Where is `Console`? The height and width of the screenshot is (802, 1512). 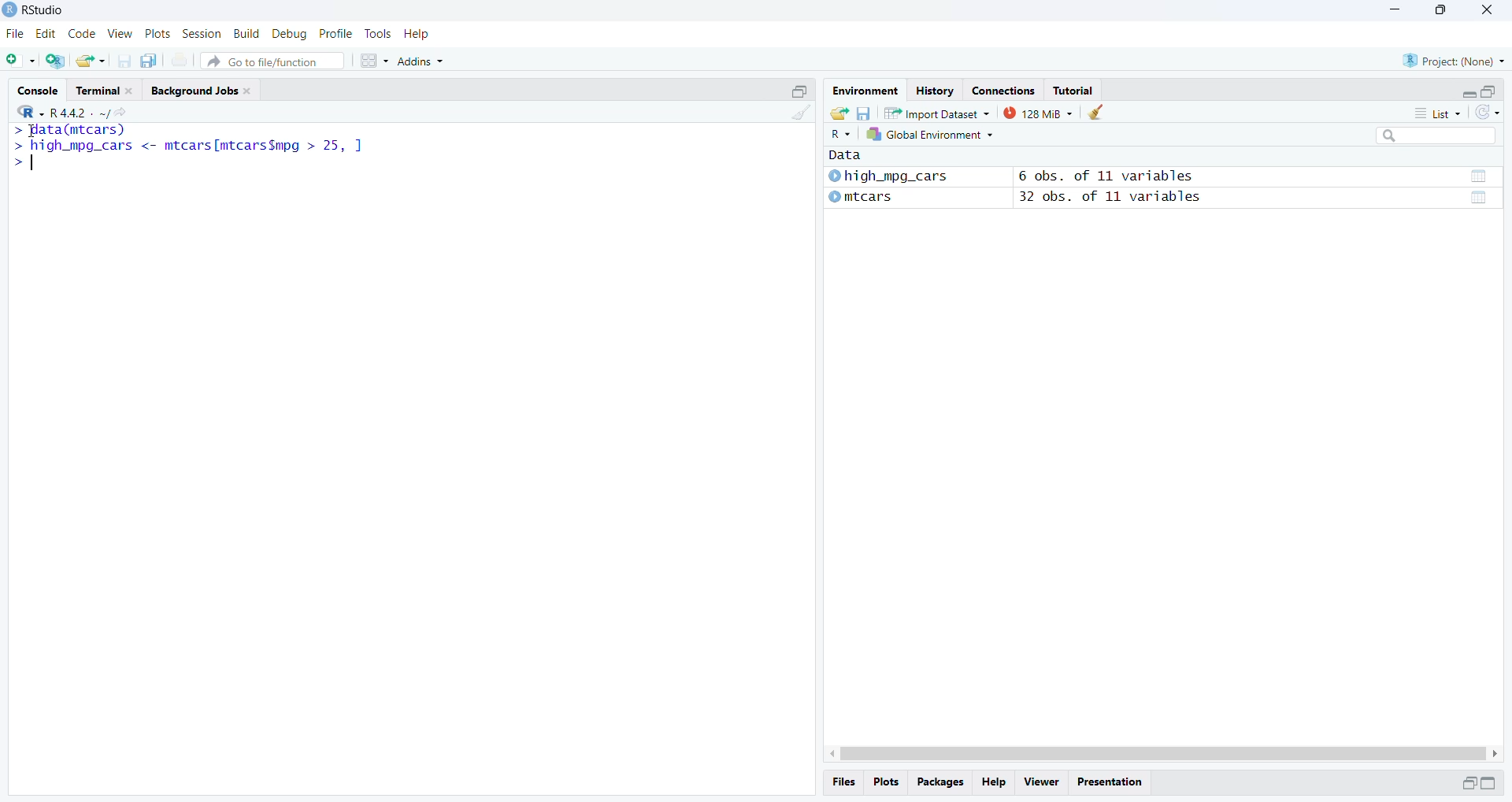
Console is located at coordinates (38, 89).